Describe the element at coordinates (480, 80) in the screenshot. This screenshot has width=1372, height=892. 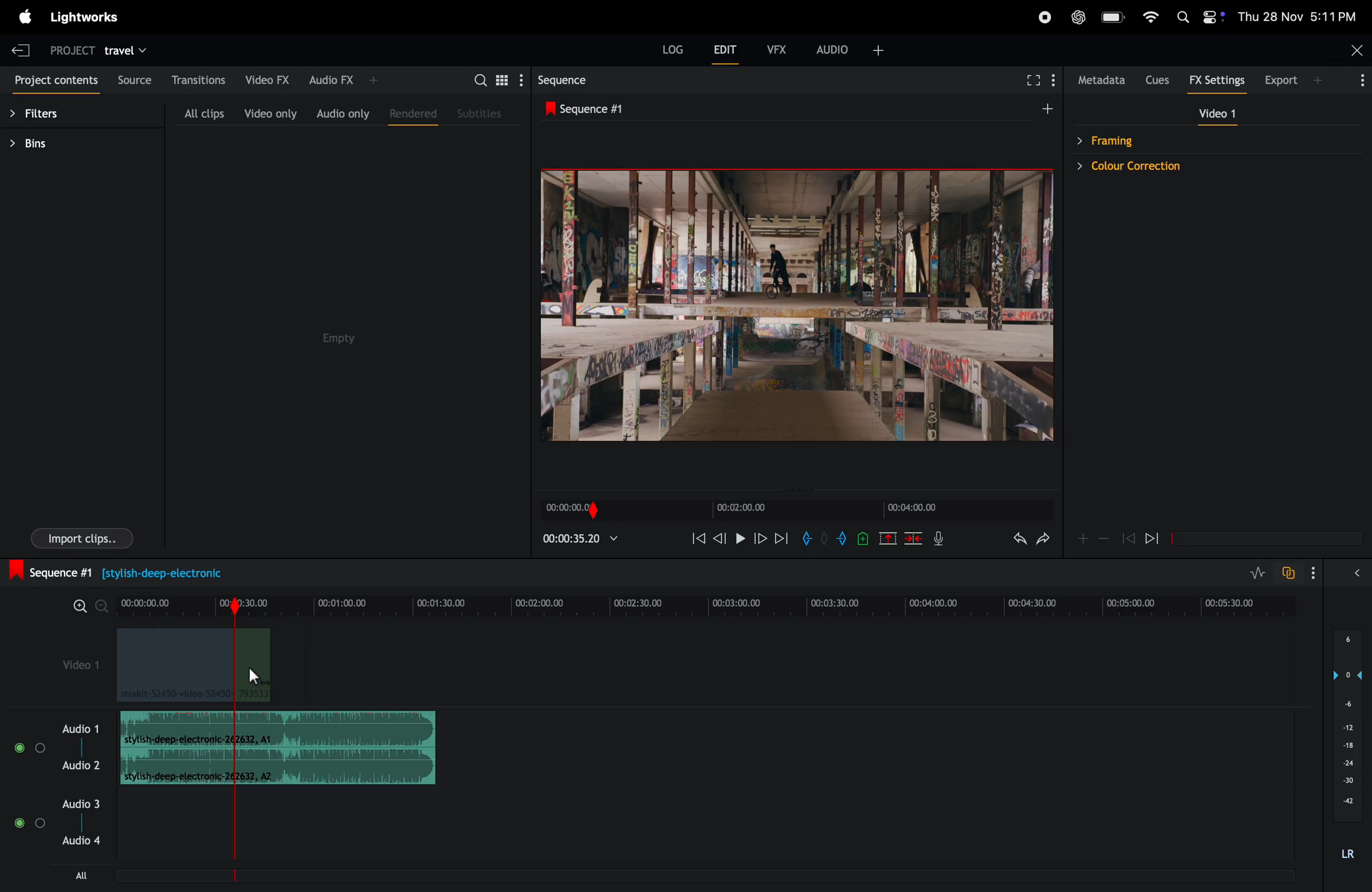
I see `search` at that location.